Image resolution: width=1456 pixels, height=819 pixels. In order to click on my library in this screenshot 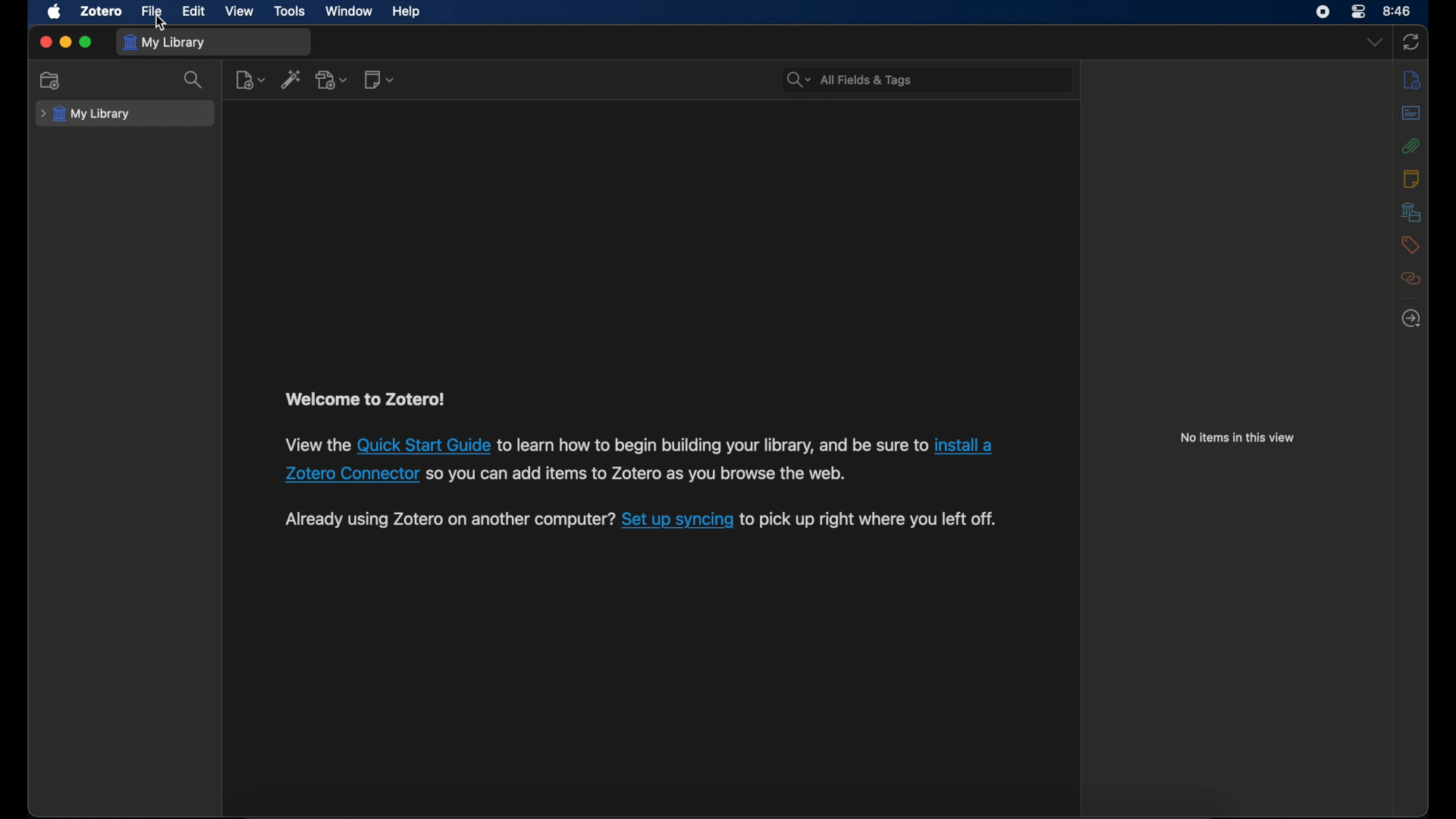, I will do `click(164, 42)`.